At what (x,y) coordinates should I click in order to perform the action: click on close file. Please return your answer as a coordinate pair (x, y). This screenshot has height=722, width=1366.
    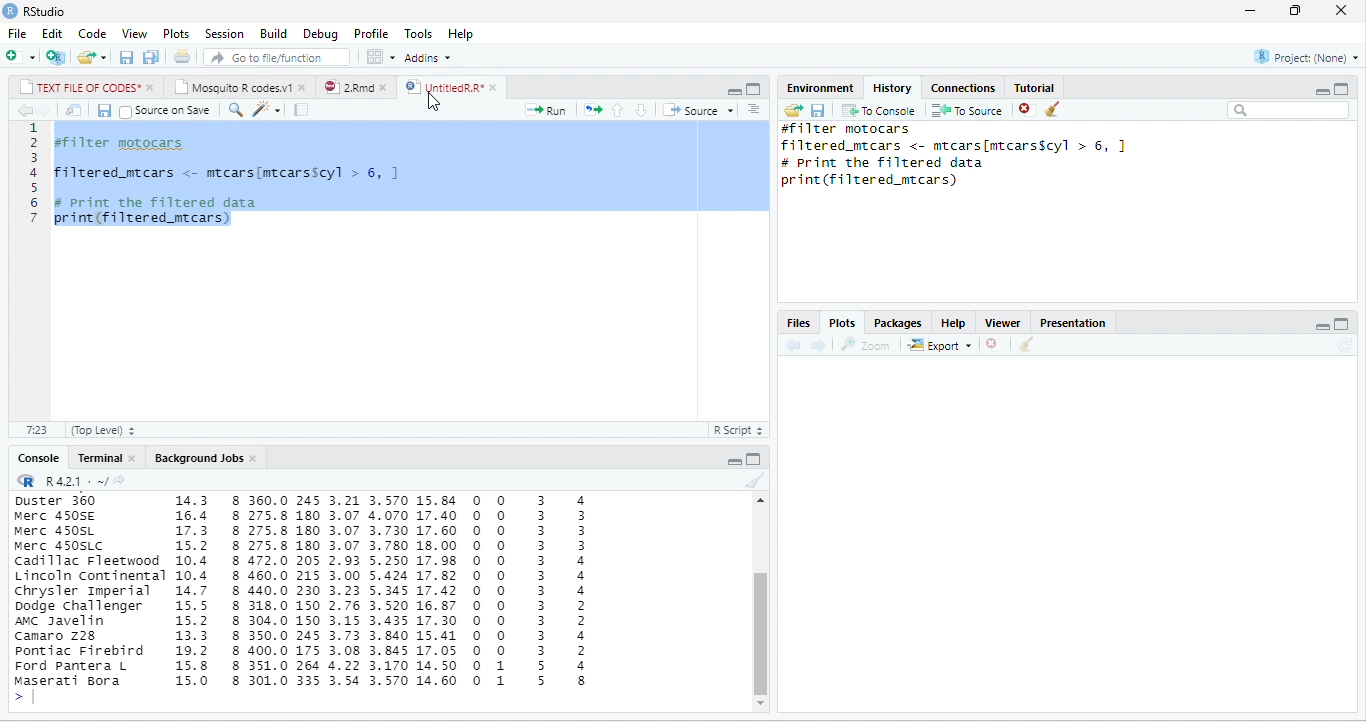
    Looking at the image, I should click on (1028, 110).